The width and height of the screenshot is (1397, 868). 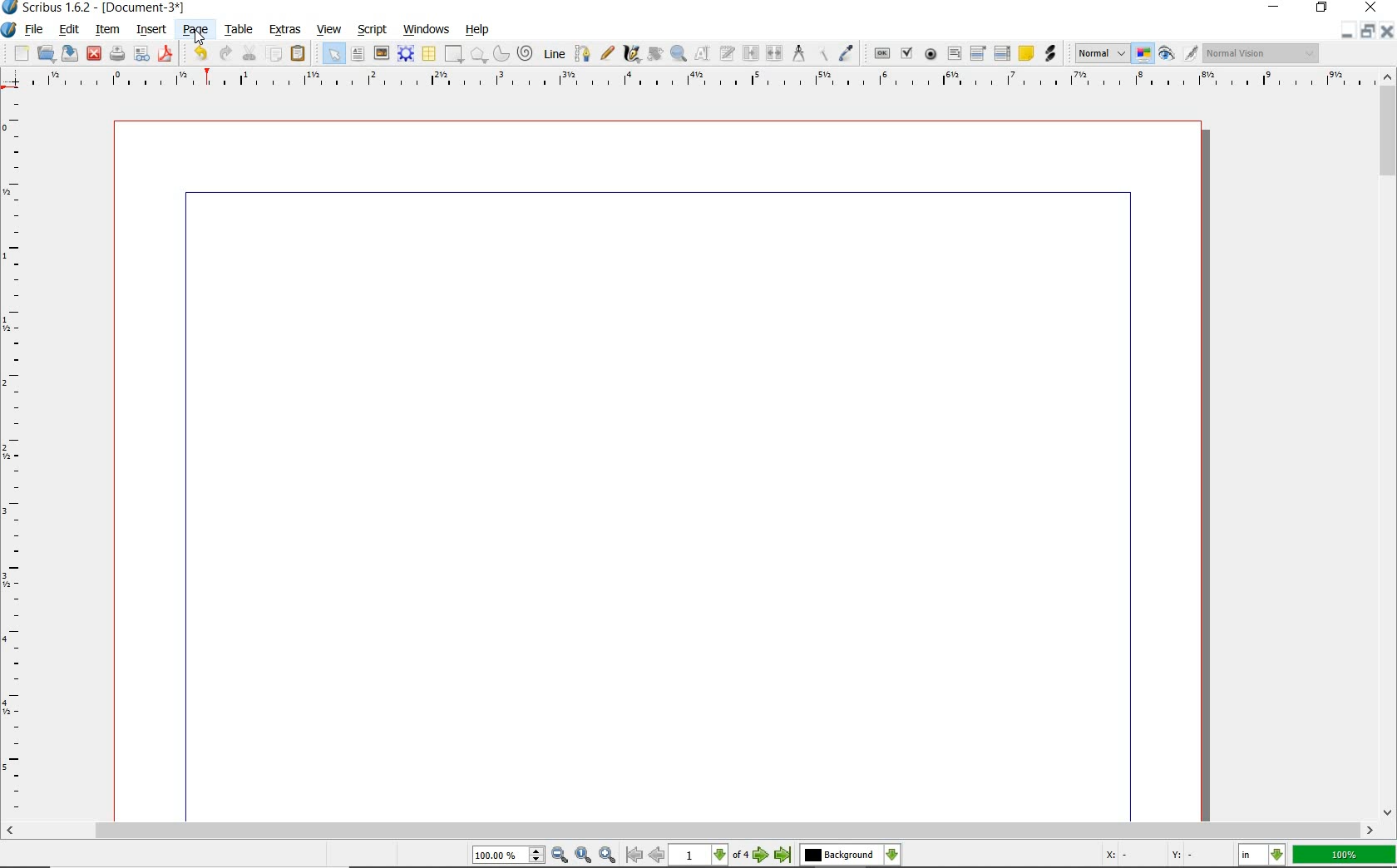 I want to click on rotate item, so click(x=654, y=53).